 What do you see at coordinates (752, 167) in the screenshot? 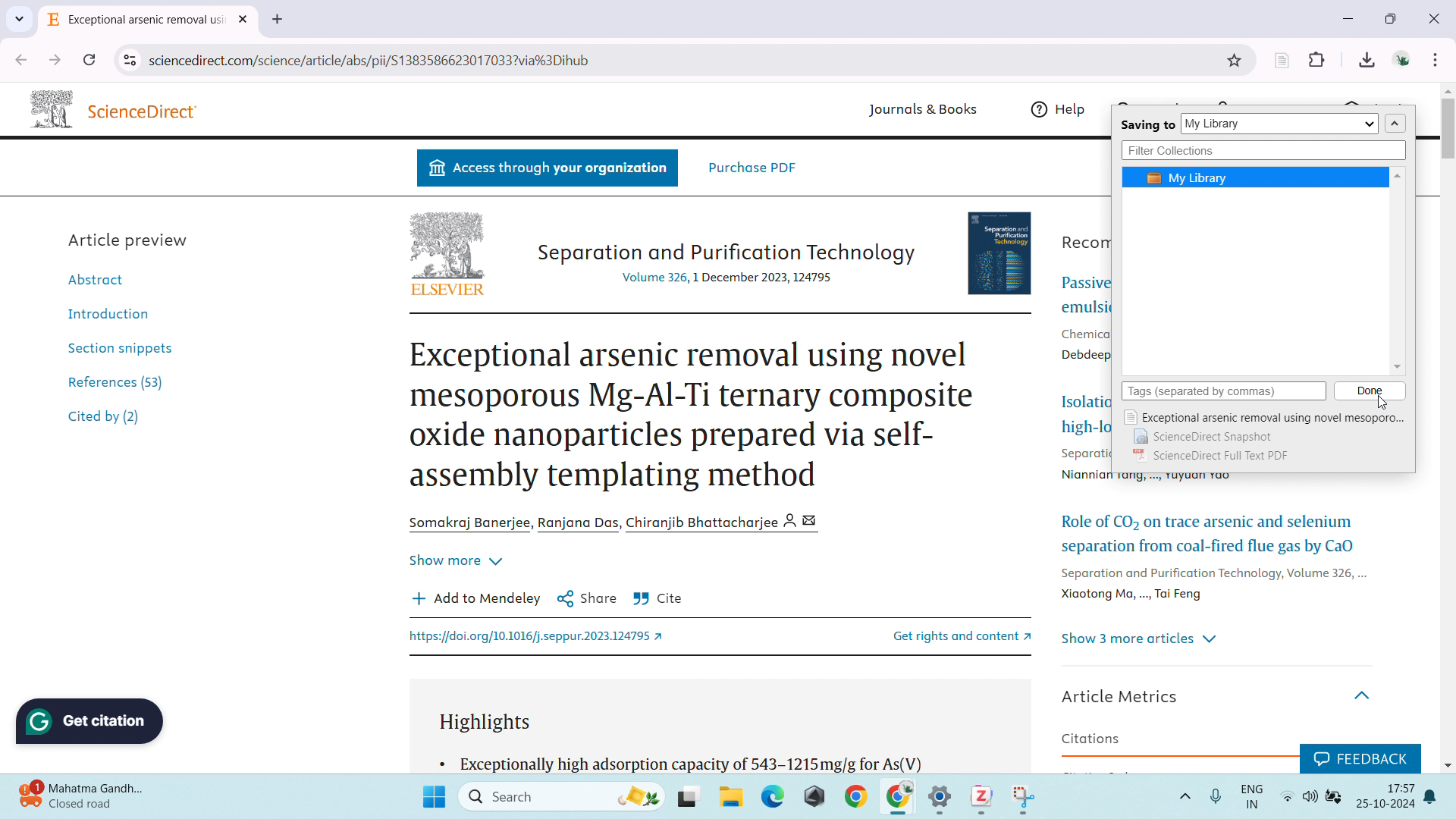
I see `Purchase PDF` at bounding box center [752, 167].